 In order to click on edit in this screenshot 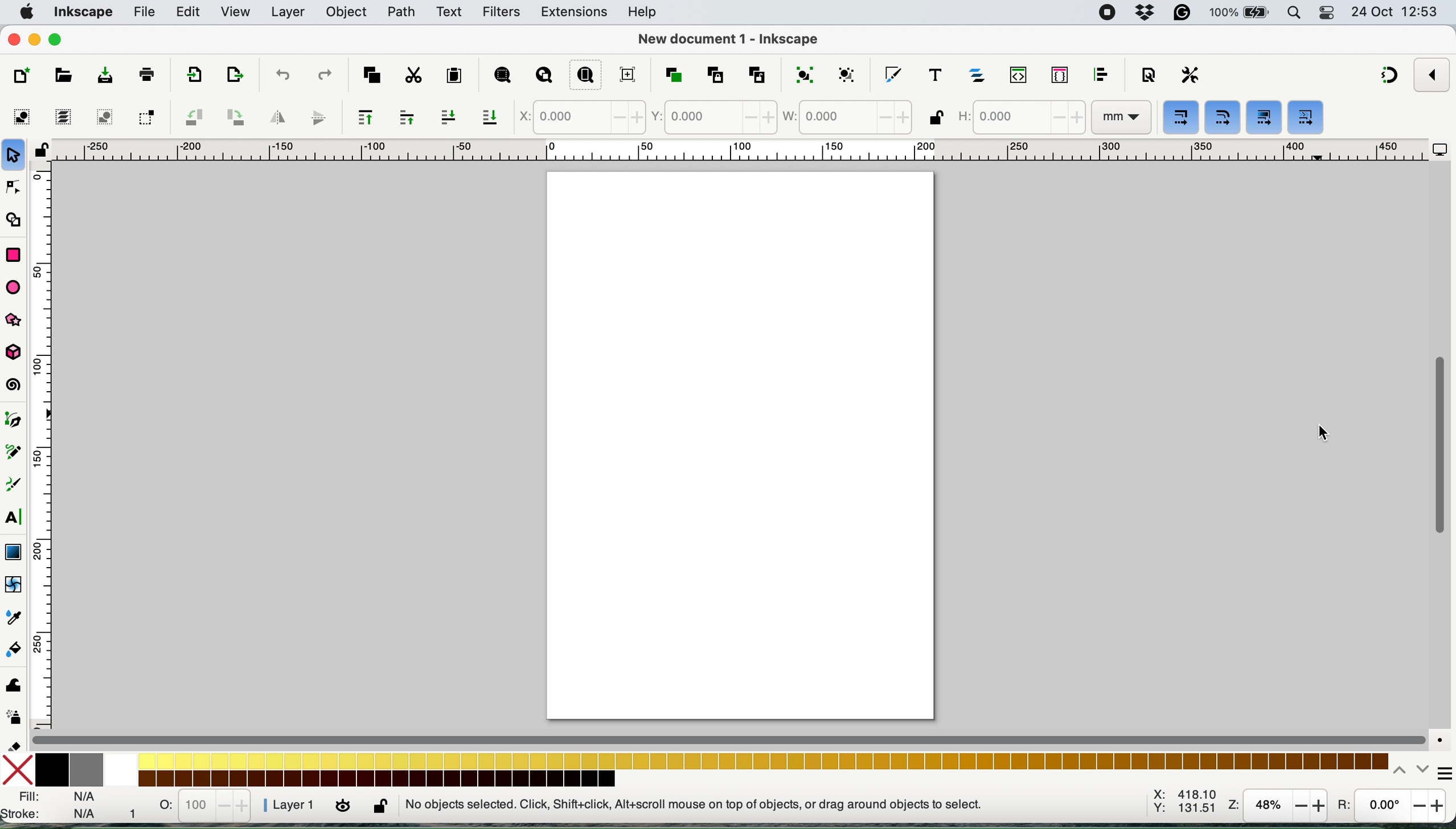, I will do `click(192, 14)`.